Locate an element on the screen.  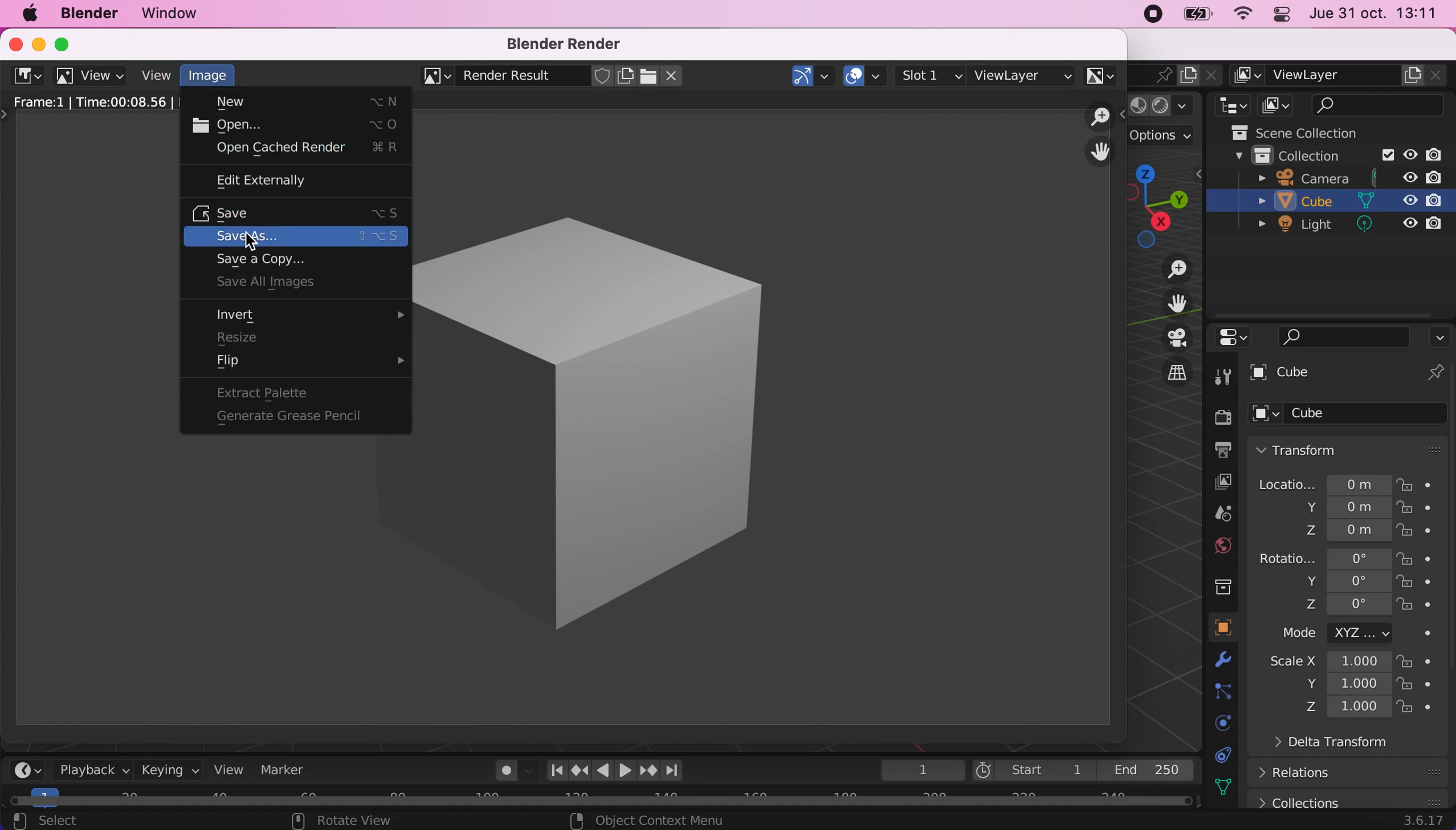
view is located at coordinates (156, 75).